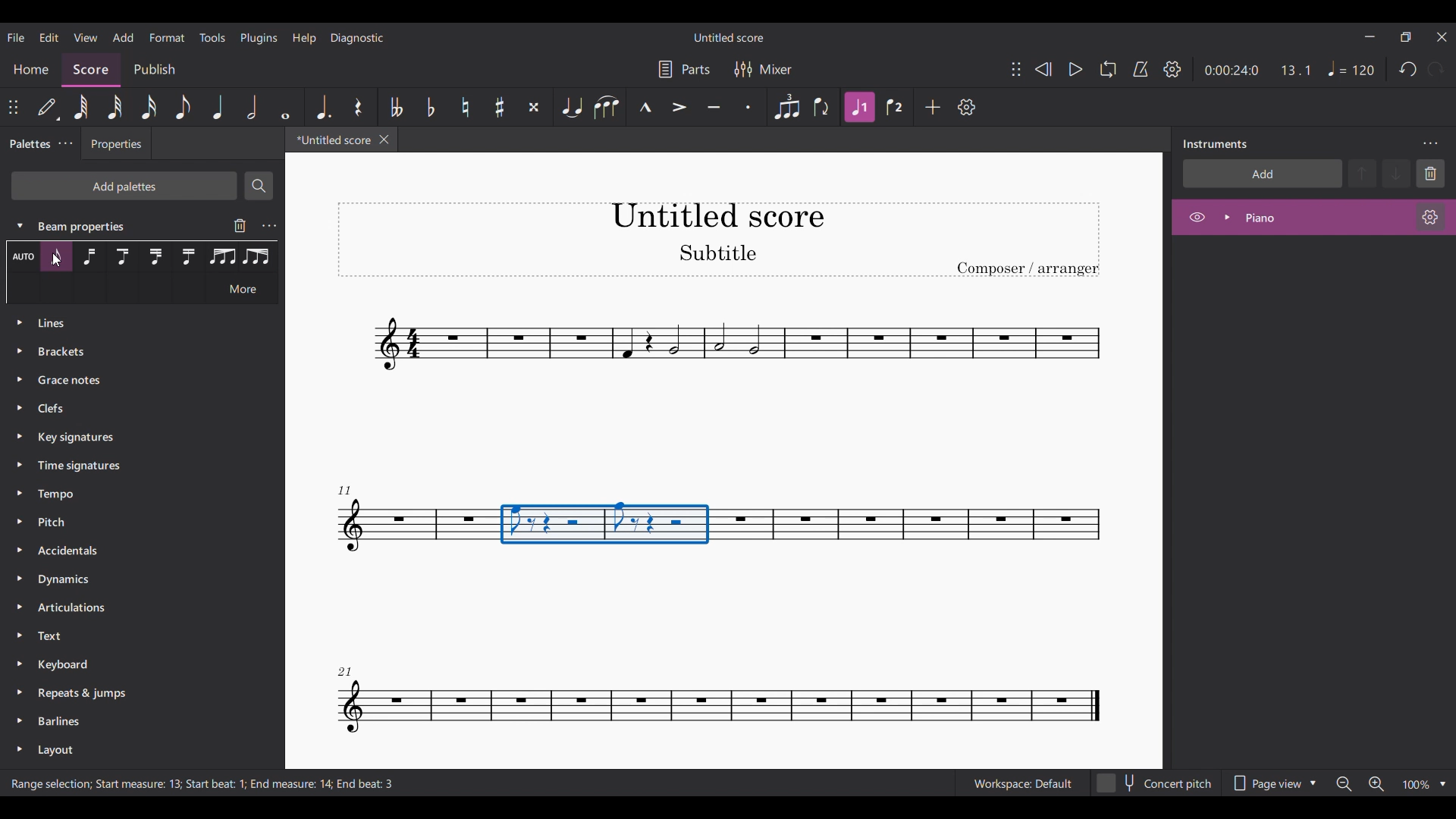 The height and width of the screenshot is (819, 1456). What do you see at coordinates (240, 225) in the screenshot?
I see `Delete` at bounding box center [240, 225].